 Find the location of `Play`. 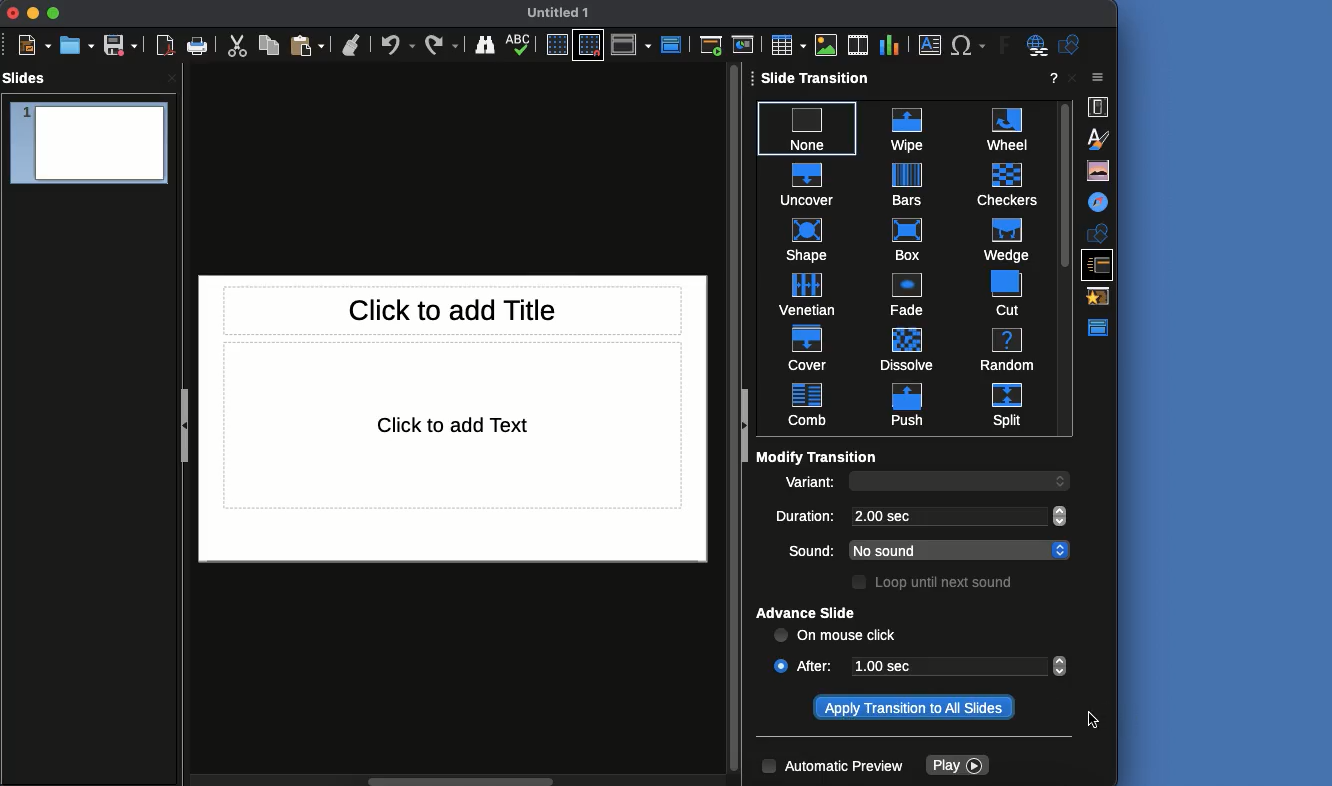

Play is located at coordinates (957, 766).